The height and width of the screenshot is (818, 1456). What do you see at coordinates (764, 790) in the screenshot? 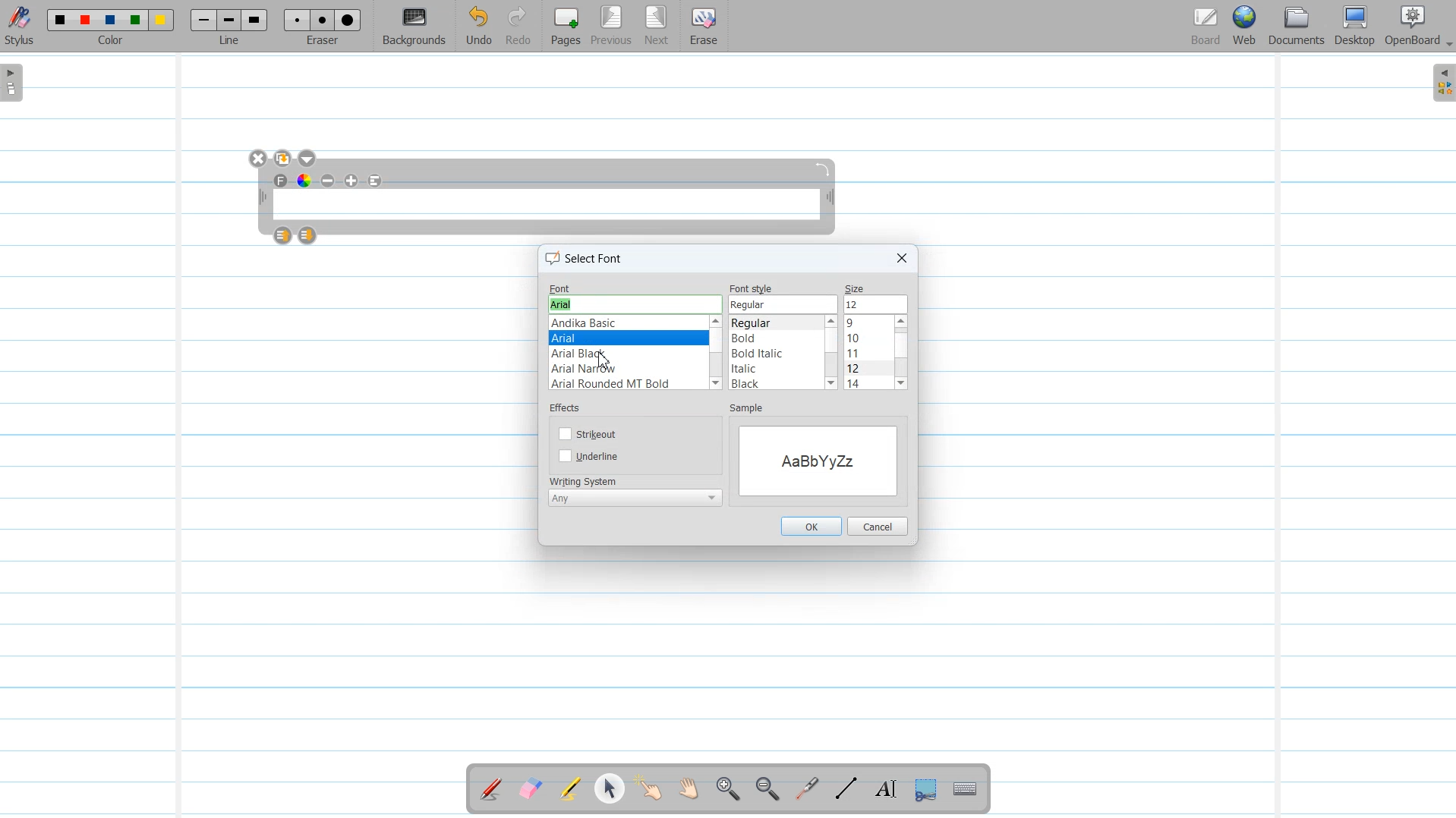
I see `Zoom Out` at bounding box center [764, 790].